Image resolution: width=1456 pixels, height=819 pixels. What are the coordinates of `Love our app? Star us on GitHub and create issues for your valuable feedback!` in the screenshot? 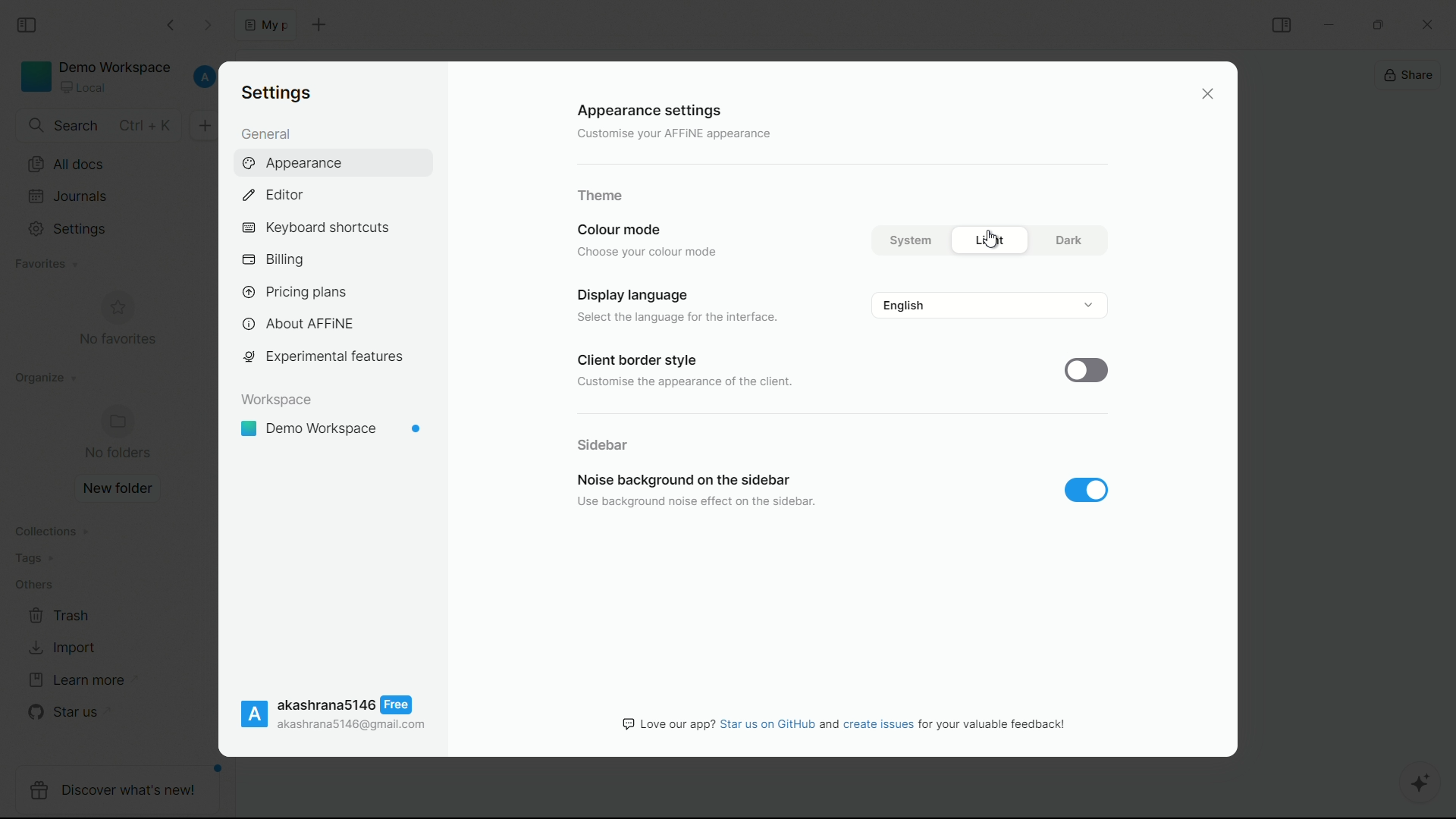 It's located at (845, 723).